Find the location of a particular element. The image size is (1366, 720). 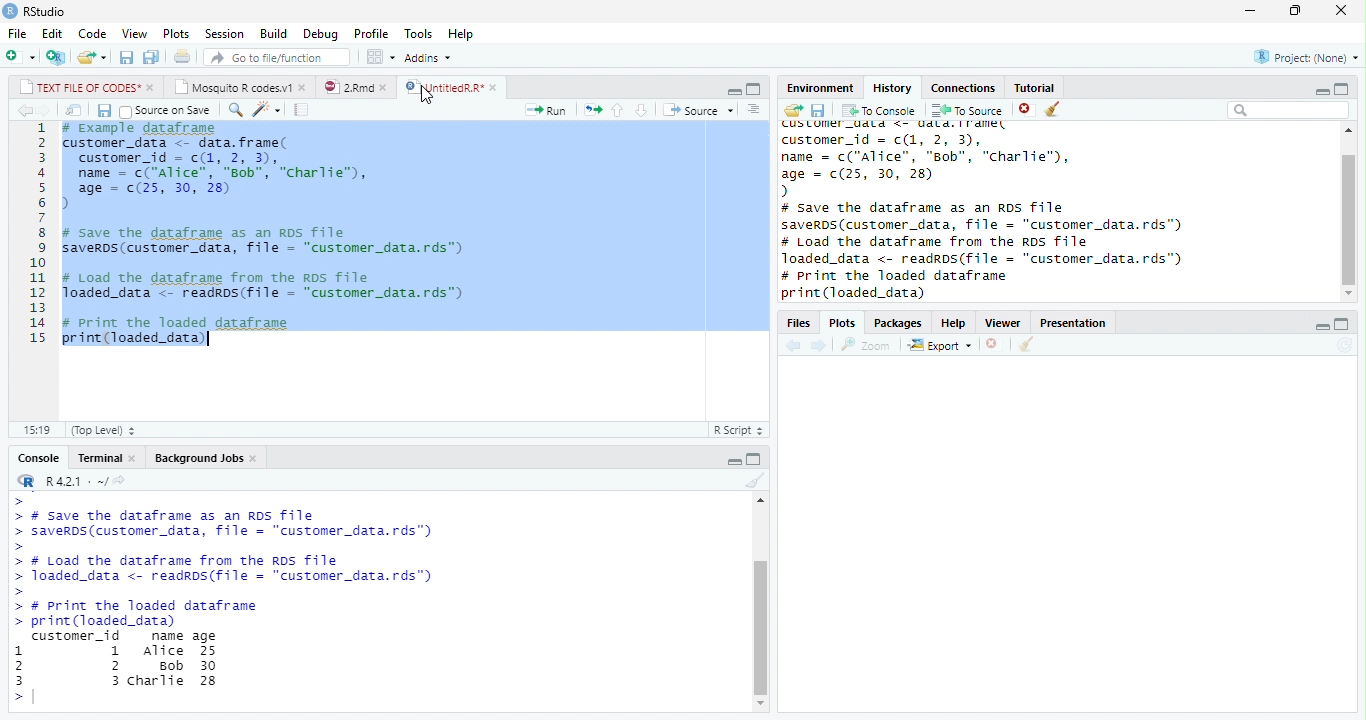

TEXT FILE OF CODES is located at coordinates (76, 87).